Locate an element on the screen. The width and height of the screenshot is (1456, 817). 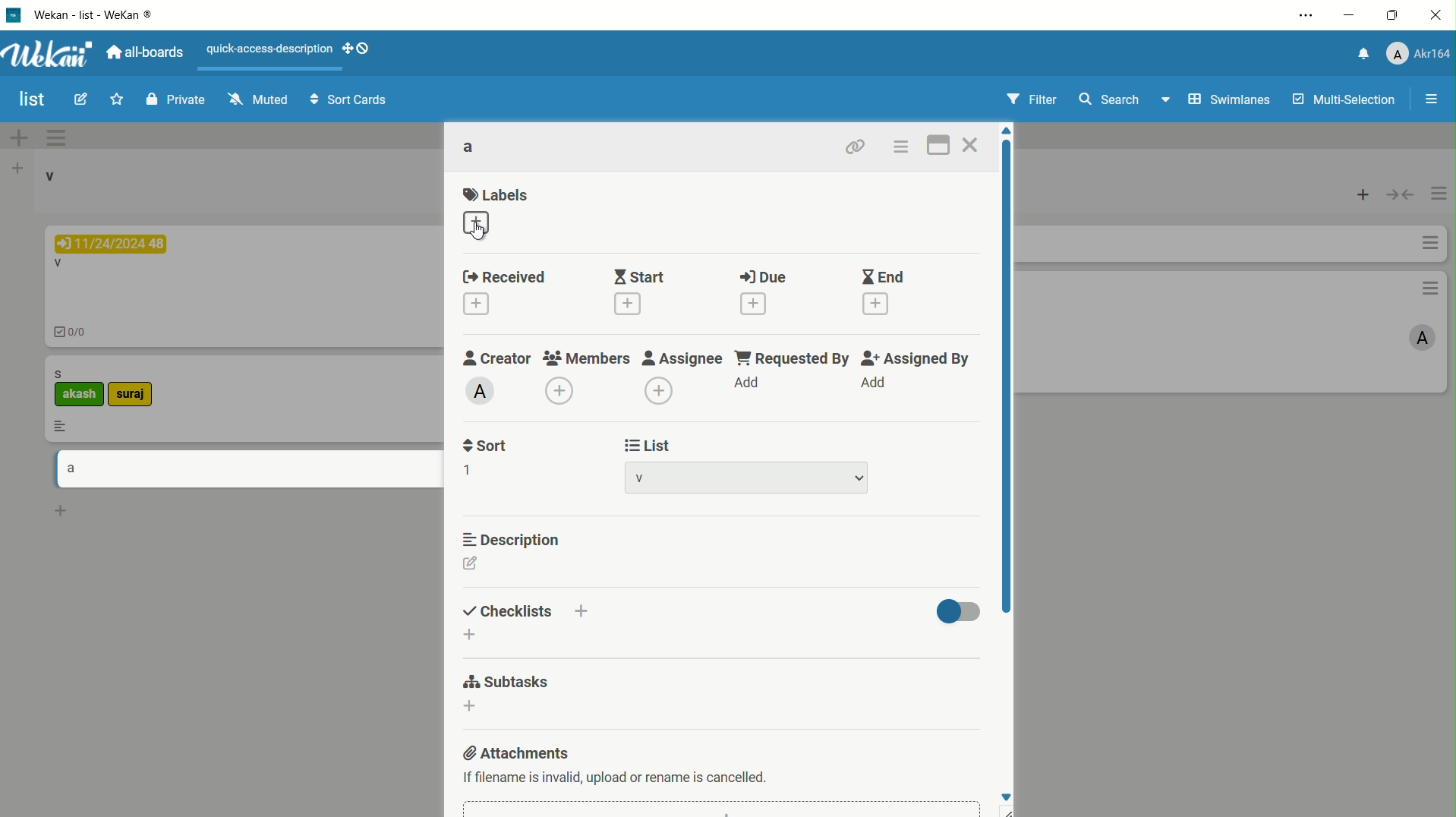
app name is located at coordinates (103, 15).